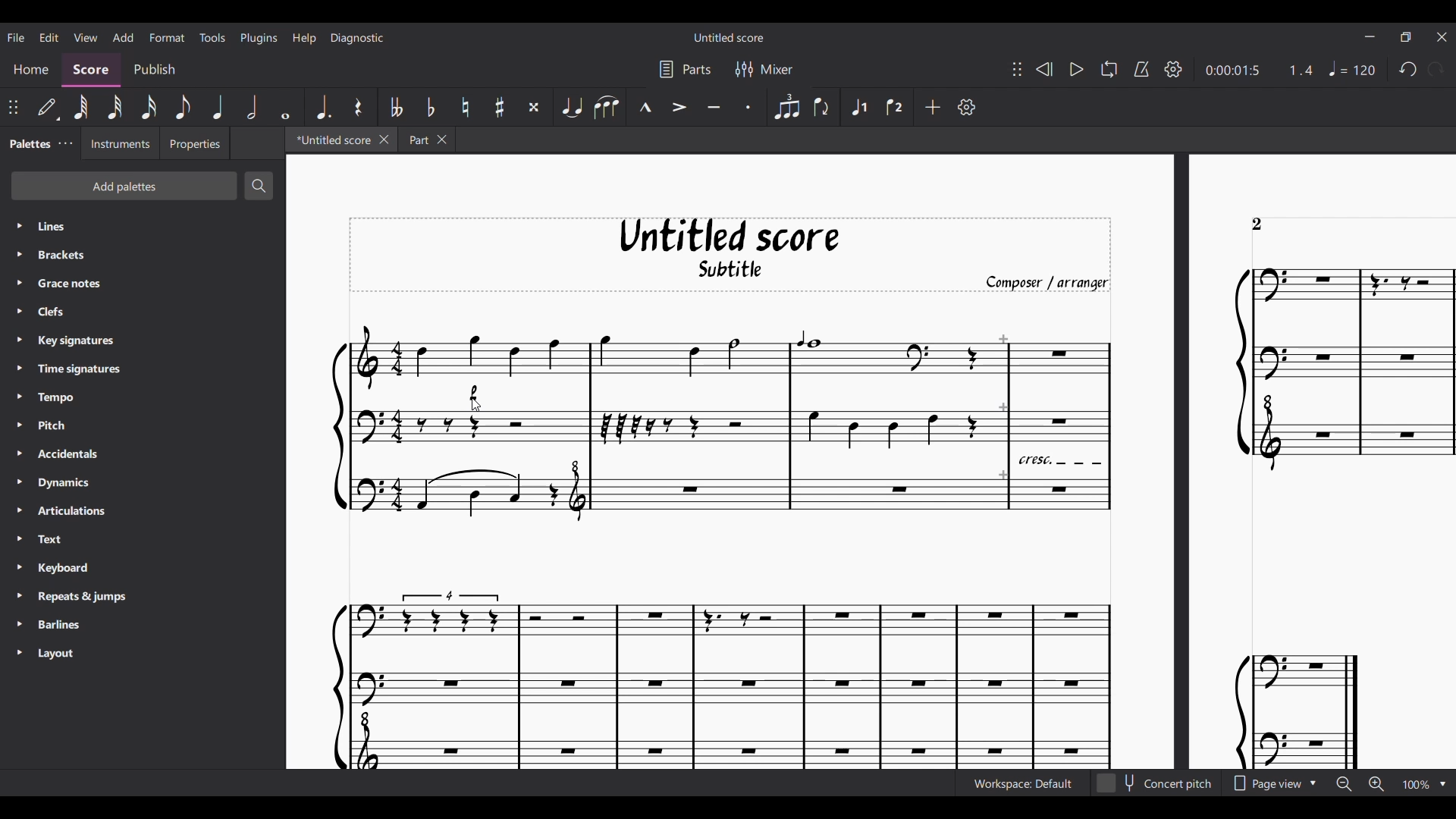 This screenshot has height=819, width=1456. I want to click on Play, so click(1077, 69).